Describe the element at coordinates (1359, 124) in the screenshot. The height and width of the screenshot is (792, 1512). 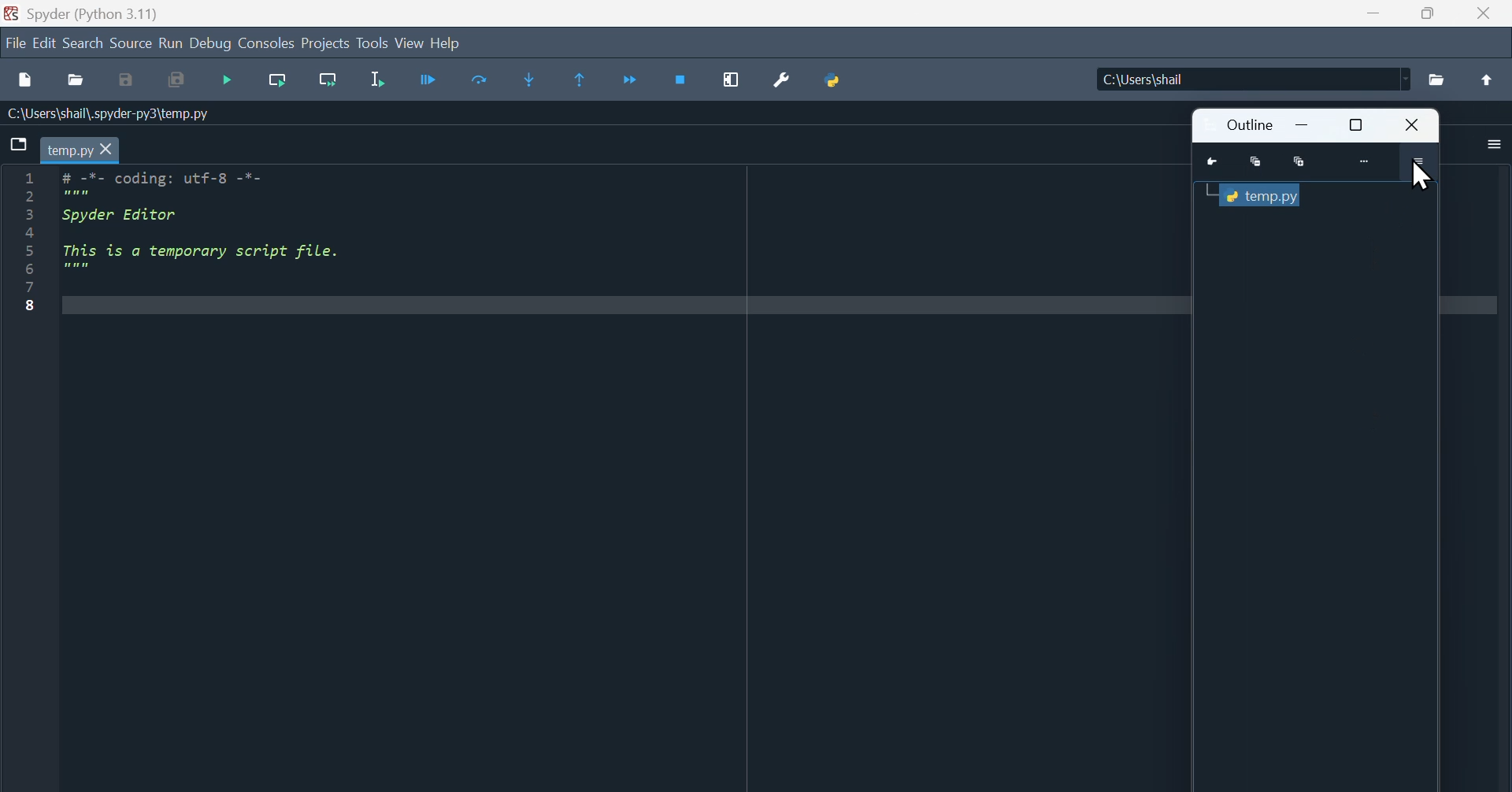
I see `Maximize` at that location.